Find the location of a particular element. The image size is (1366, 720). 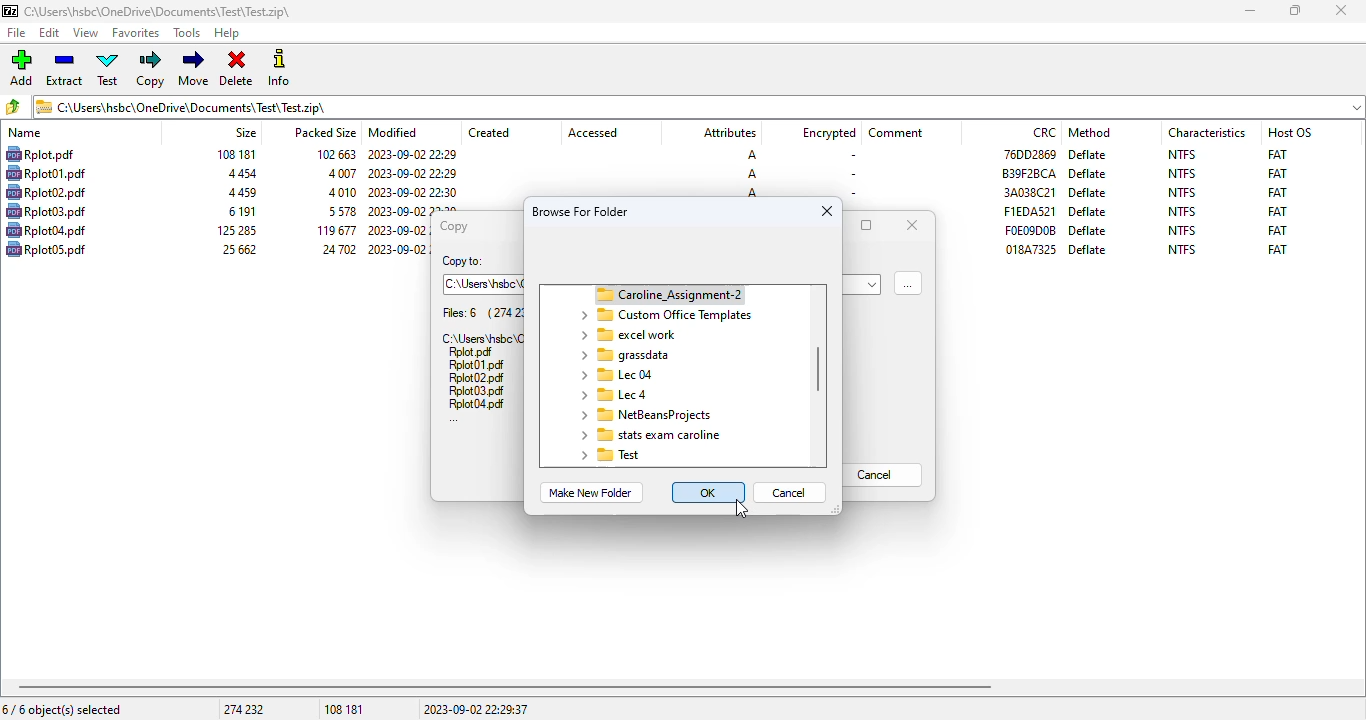

modified is located at coordinates (394, 132).